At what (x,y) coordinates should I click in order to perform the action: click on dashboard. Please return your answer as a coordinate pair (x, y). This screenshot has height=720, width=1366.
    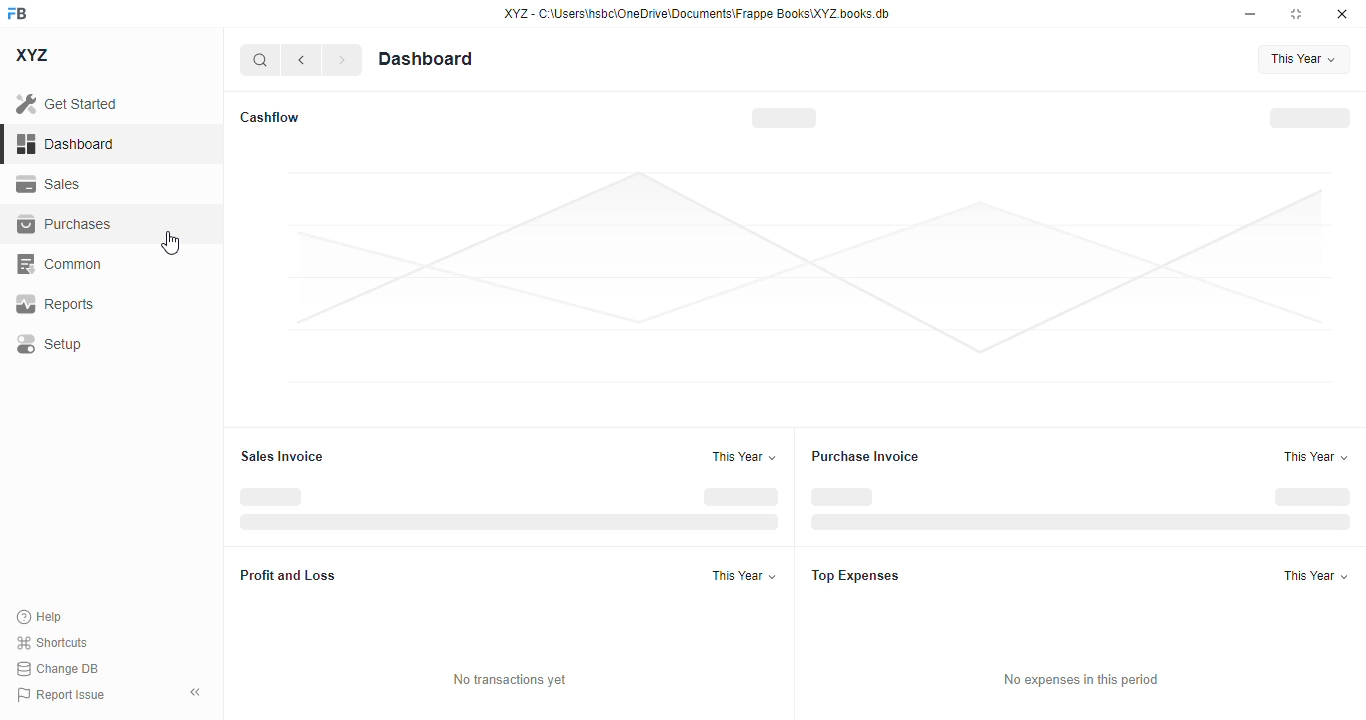
    Looking at the image, I should click on (425, 58).